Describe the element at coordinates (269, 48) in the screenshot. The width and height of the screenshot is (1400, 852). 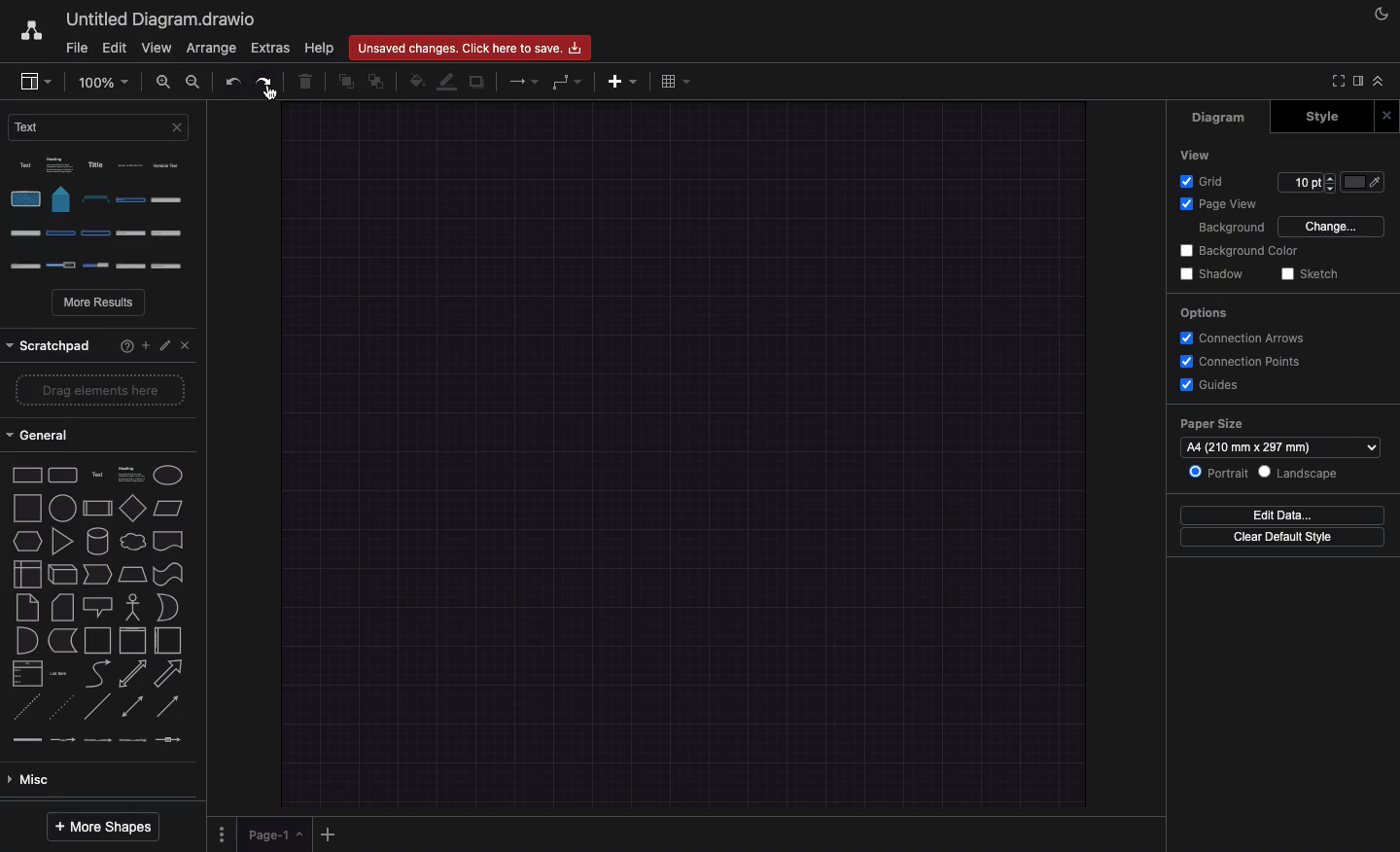
I see `Extras` at that location.